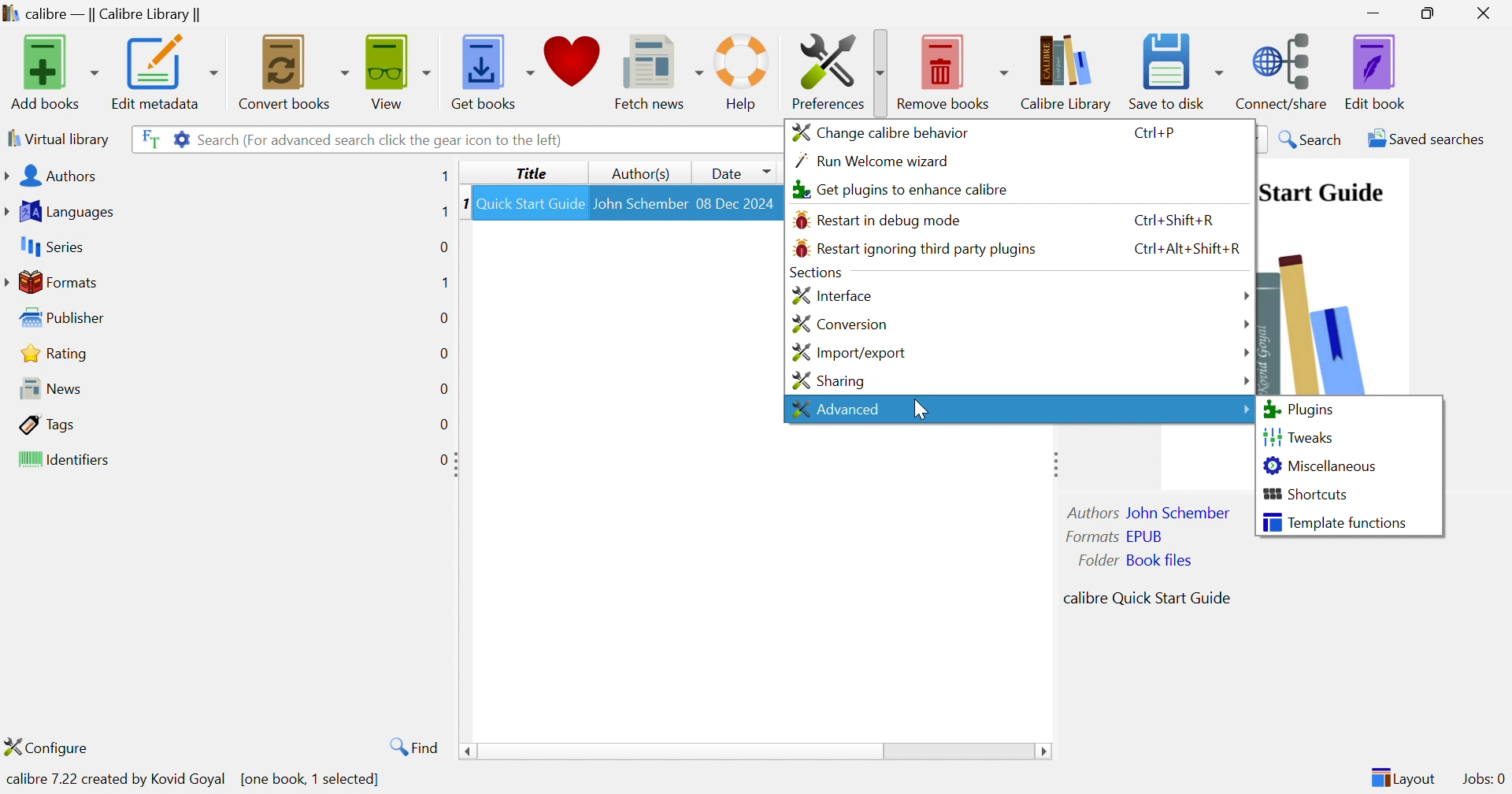 The width and height of the screenshot is (1512, 794). Describe the element at coordinates (1403, 777) in the screenshot. I see `Layout:0` at that location.